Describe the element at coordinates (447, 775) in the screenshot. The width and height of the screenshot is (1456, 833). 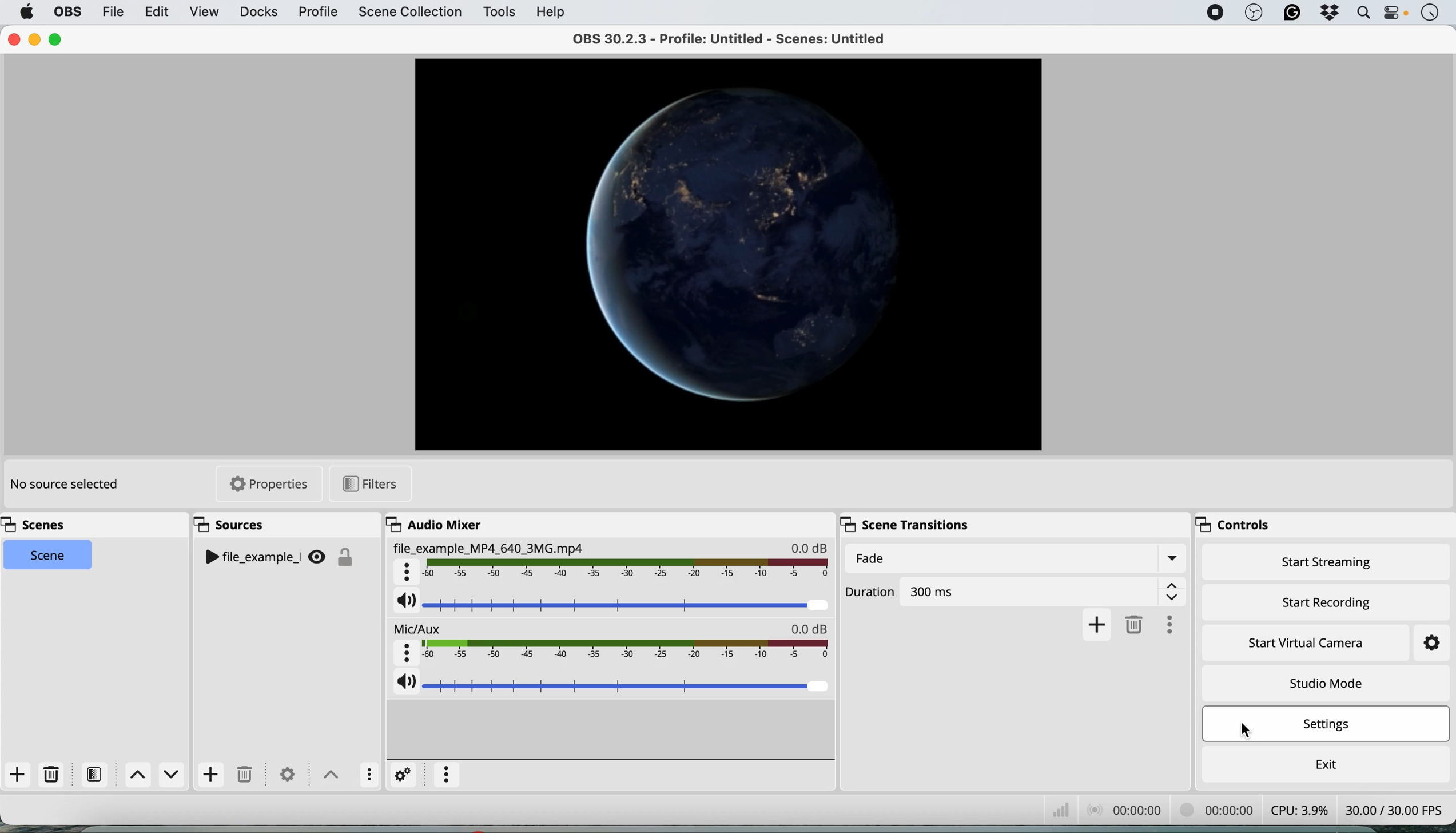
I see `more options` at that location.